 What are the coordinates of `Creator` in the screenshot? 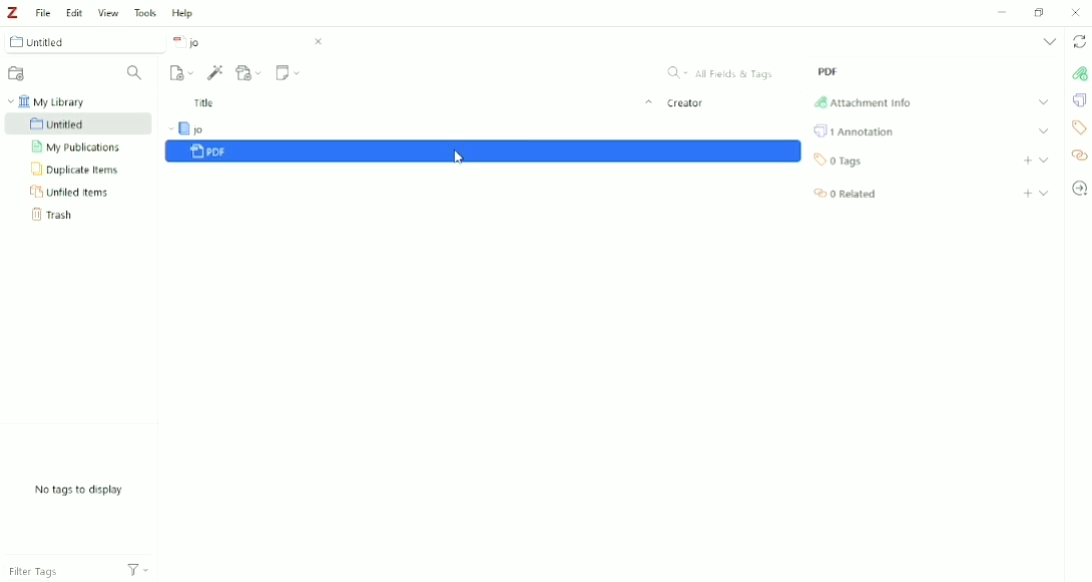 It's located at (688, 105).